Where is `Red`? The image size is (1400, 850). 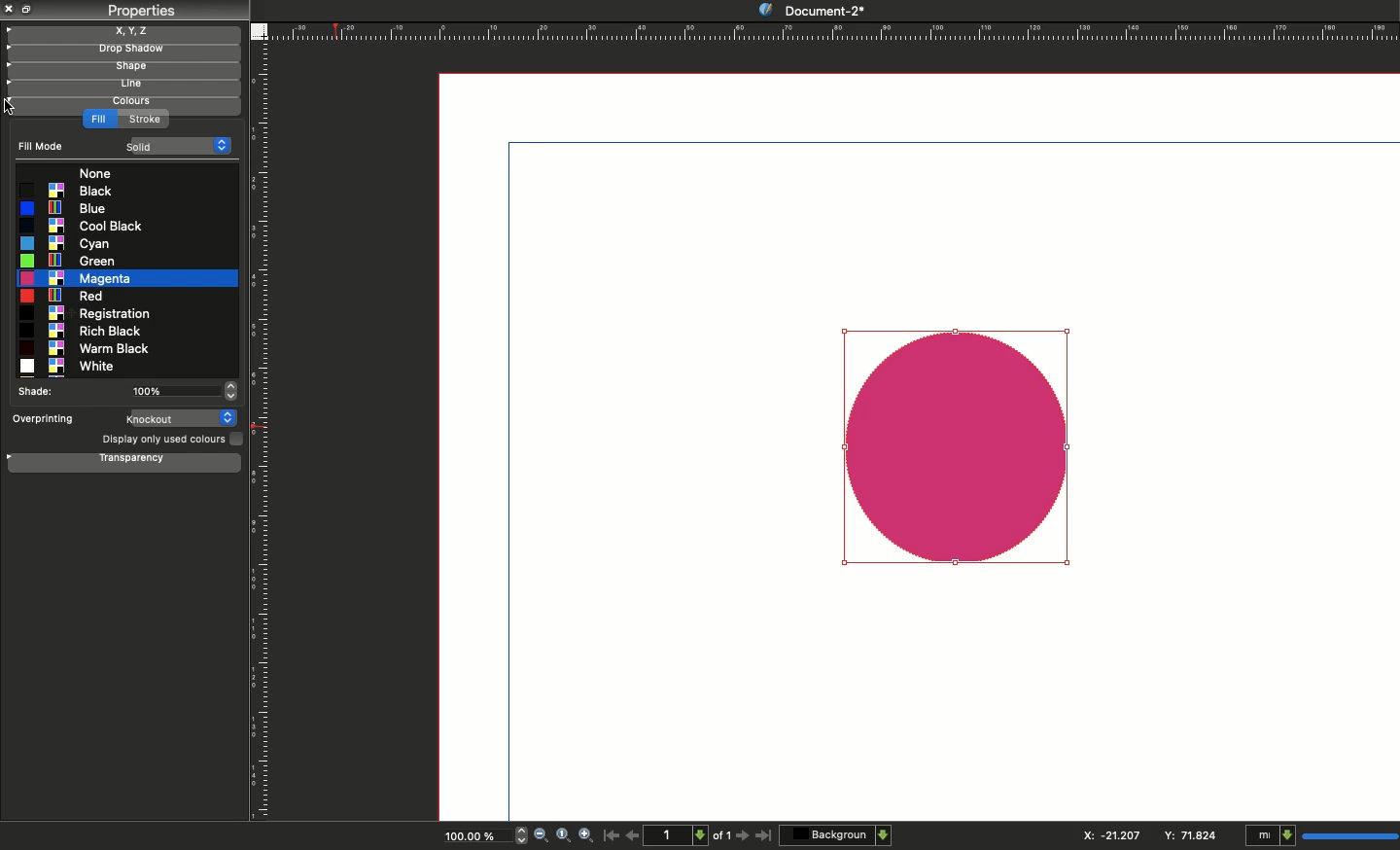 Red is located at coordinates (61, 295).